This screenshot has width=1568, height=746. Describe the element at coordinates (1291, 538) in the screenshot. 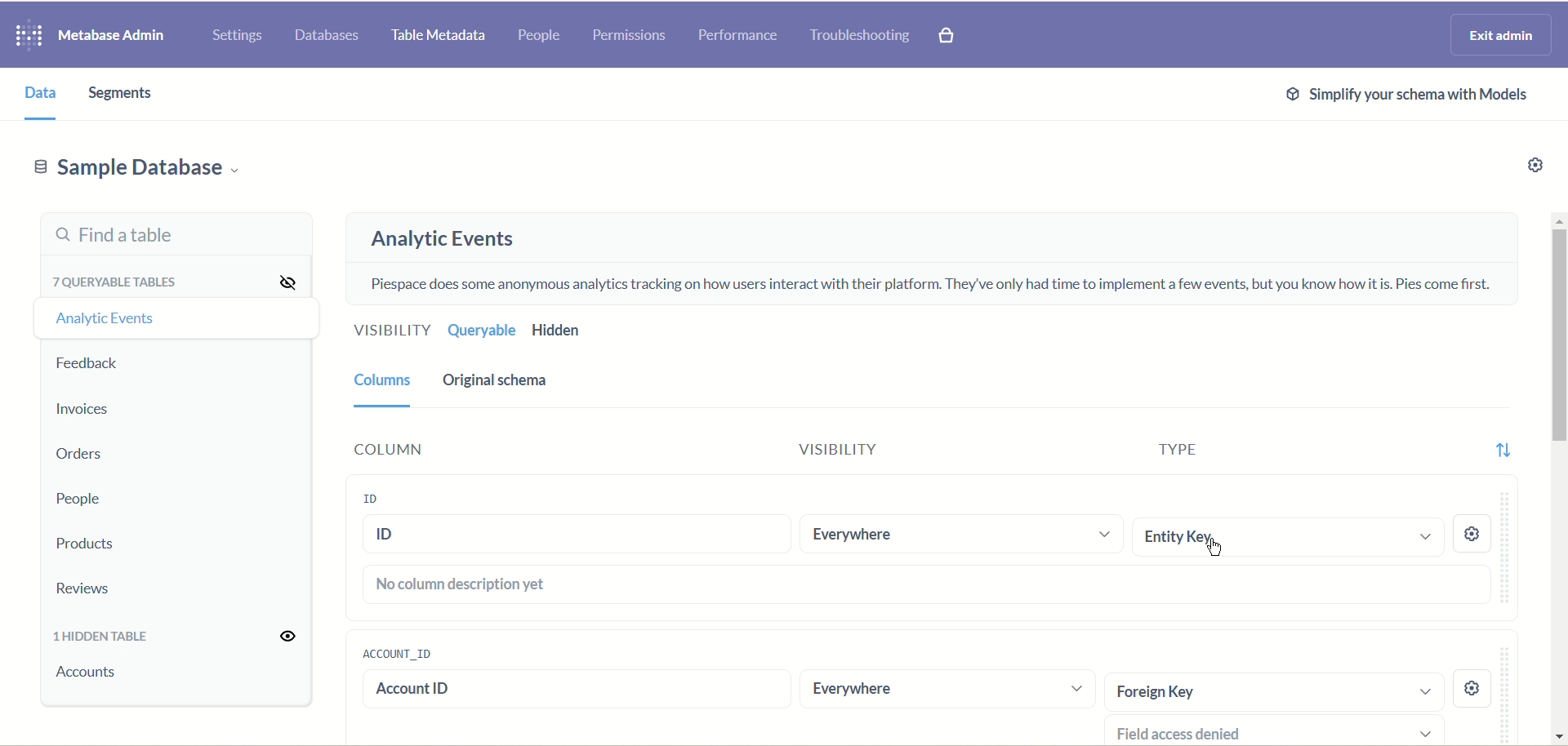

I see `entity key` at that location.